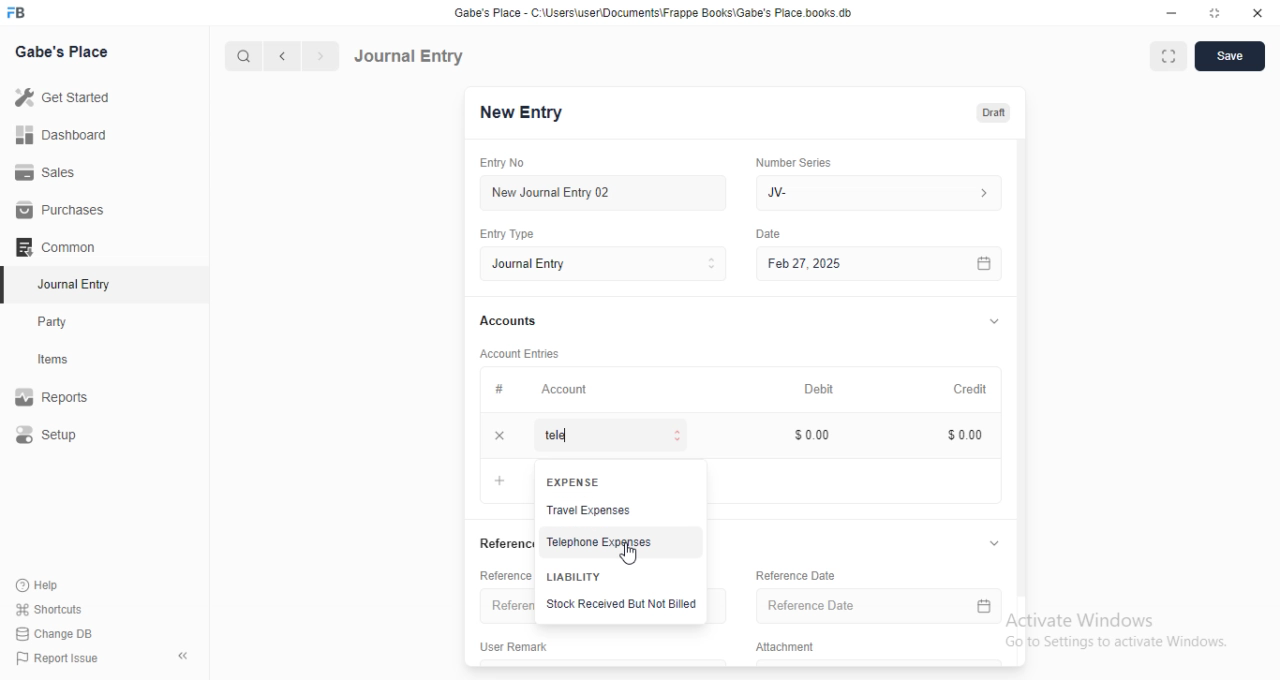 This screenshot has height=680, width=1280. I want to click on tele, so click(613, 436).